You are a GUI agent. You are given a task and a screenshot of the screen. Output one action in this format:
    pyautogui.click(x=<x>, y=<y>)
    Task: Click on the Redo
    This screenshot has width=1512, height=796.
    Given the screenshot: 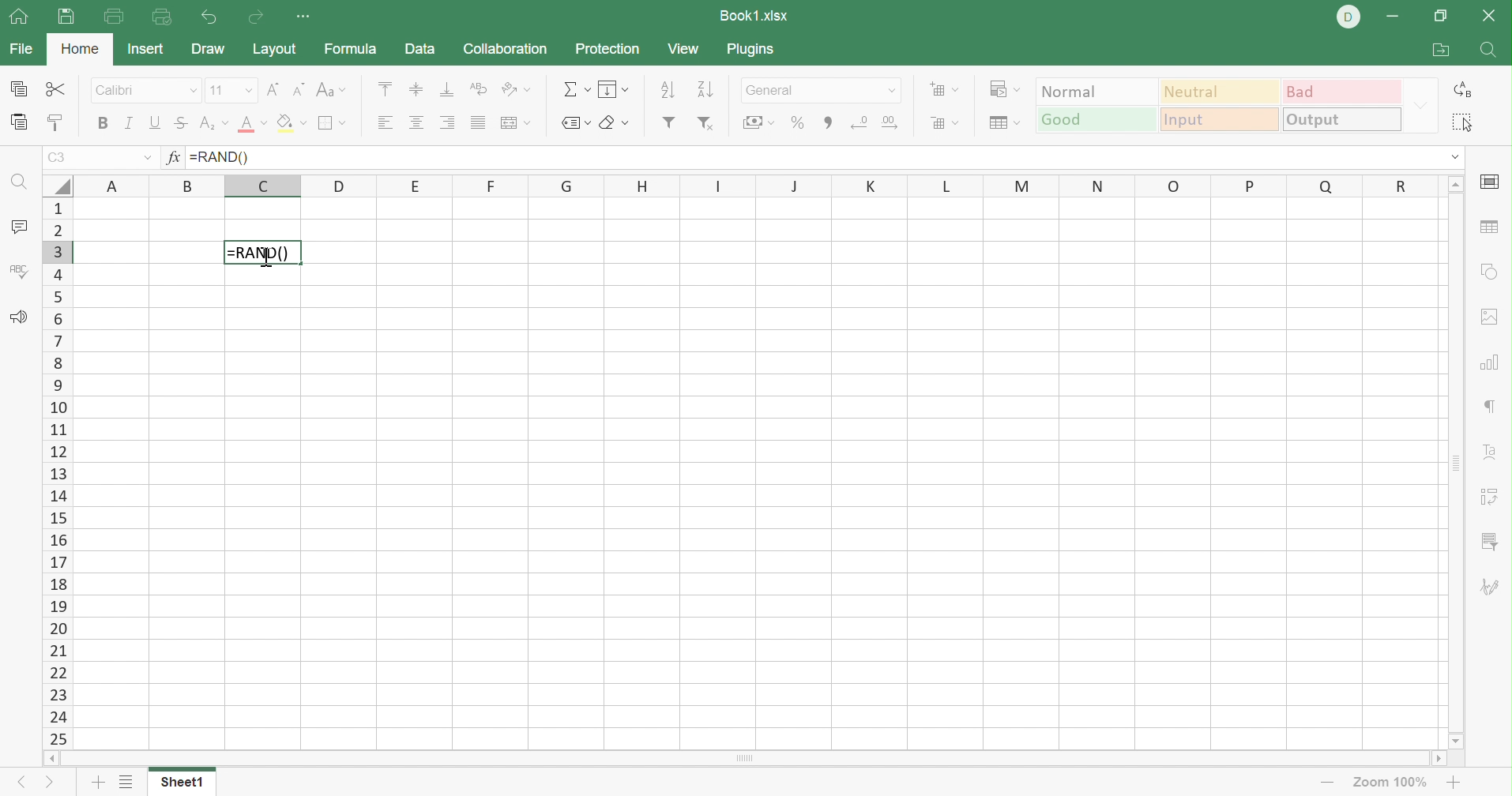 What is the action you would take?
    pyautogui.click(x=260, y=17)
    